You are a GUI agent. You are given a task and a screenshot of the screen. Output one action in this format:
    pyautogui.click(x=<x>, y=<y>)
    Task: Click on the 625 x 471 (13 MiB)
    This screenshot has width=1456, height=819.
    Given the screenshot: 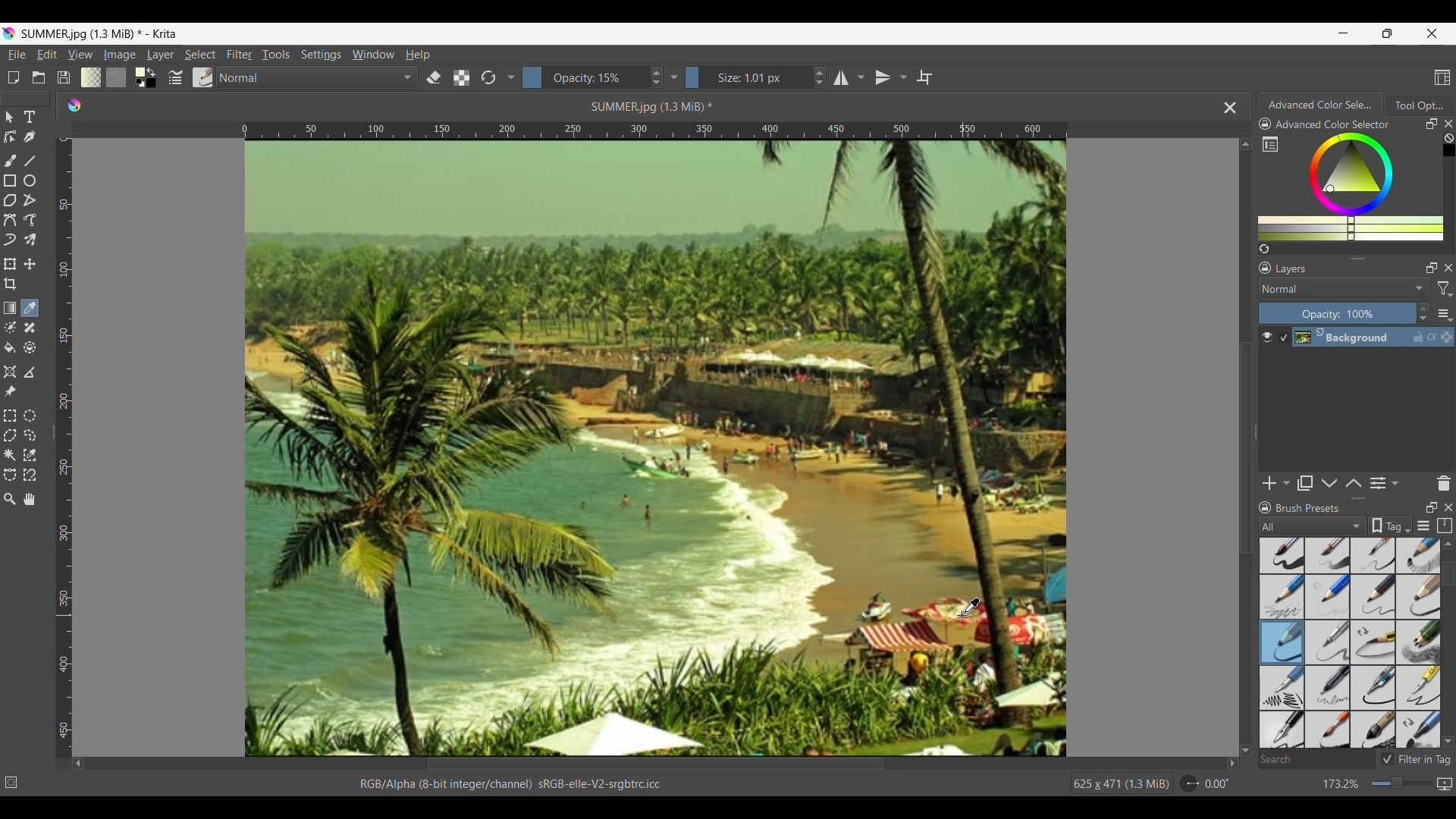 What is the action you would take?
    pyautogui.click(x=1119, y=785)
    